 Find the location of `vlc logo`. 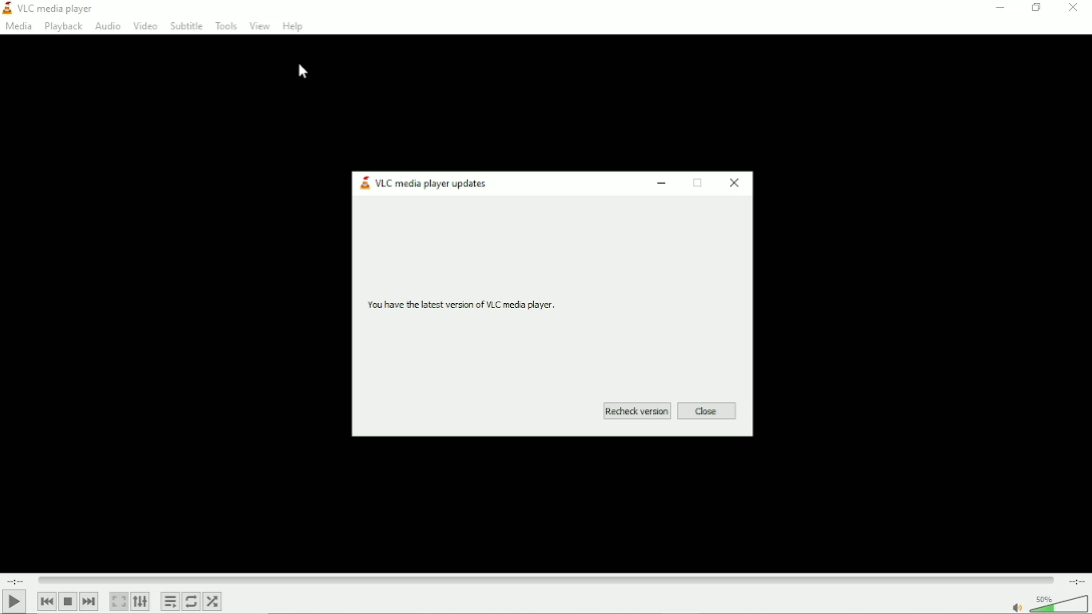

vlc logo is located at coordinates (364, 184).